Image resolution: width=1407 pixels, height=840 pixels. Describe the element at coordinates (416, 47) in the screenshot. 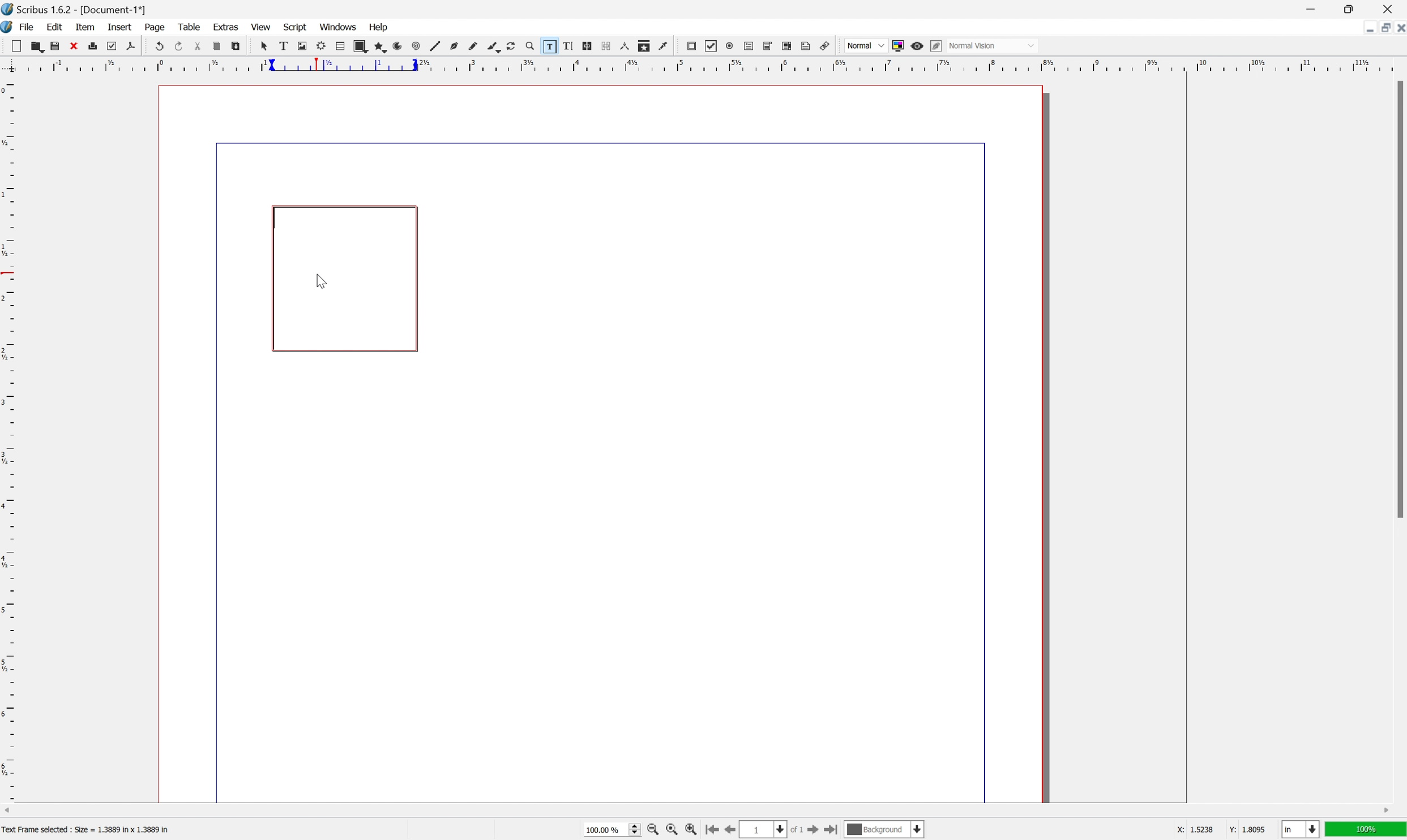

I see `spiral` at that location.